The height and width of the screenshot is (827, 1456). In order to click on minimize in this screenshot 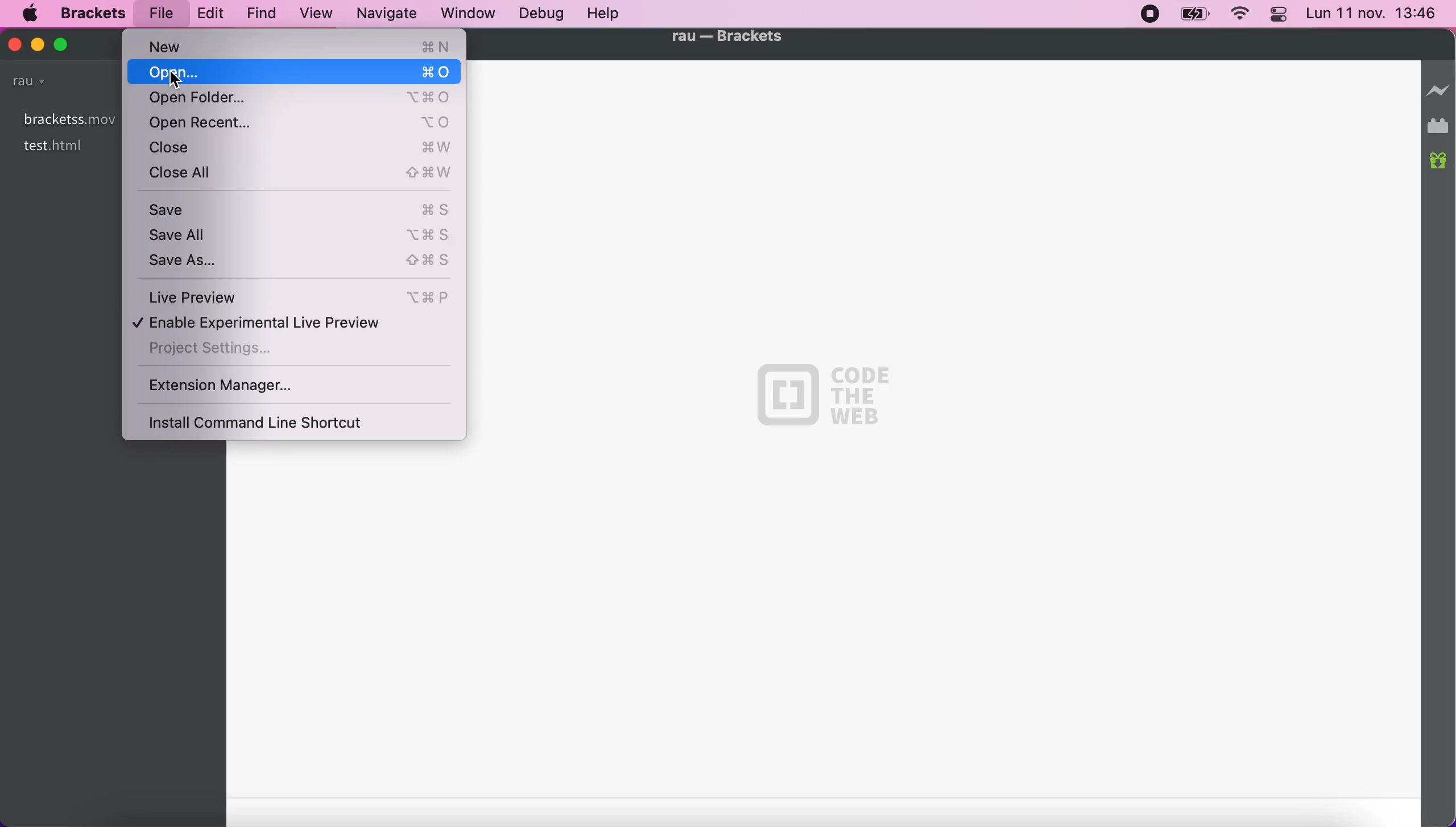, I will do `click(38, 43)`.